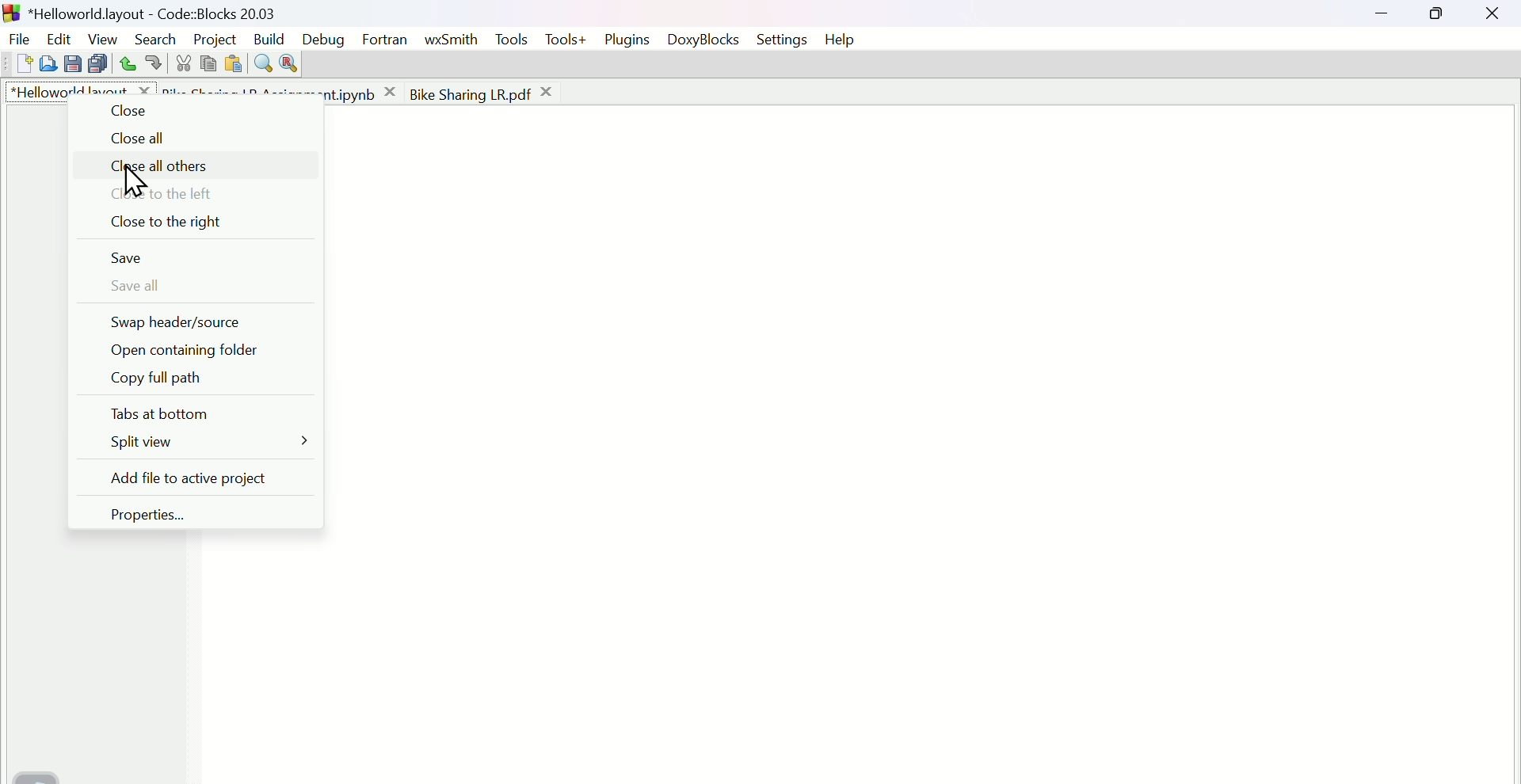 This screenshot has height=784, width=1521. What do you see at coordinates (387, 41) in the screenshot?
I see `Fortran` at bounding box center [387, 41].